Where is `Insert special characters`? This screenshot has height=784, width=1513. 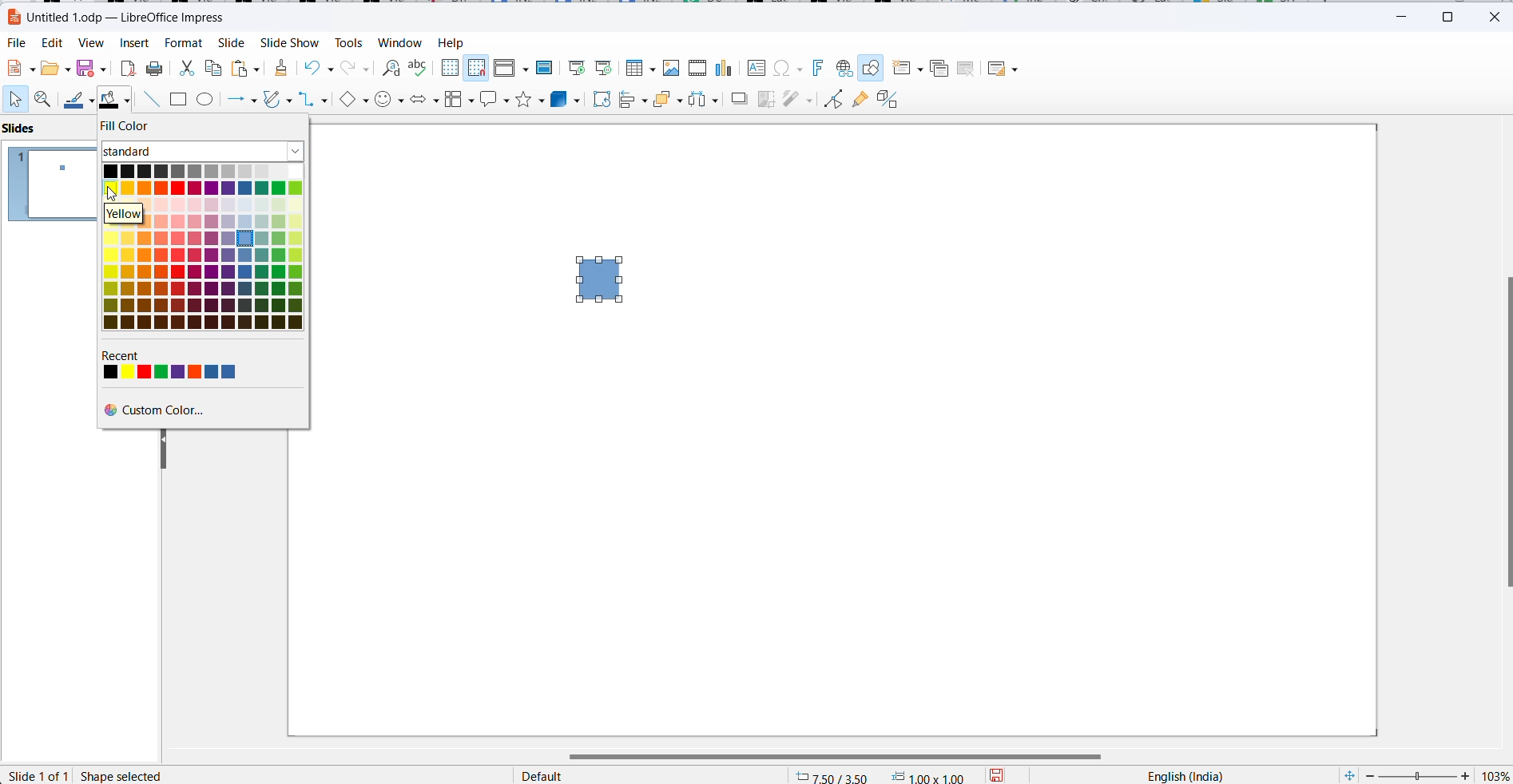 Insert special characters is located at coordinates (790, 69).